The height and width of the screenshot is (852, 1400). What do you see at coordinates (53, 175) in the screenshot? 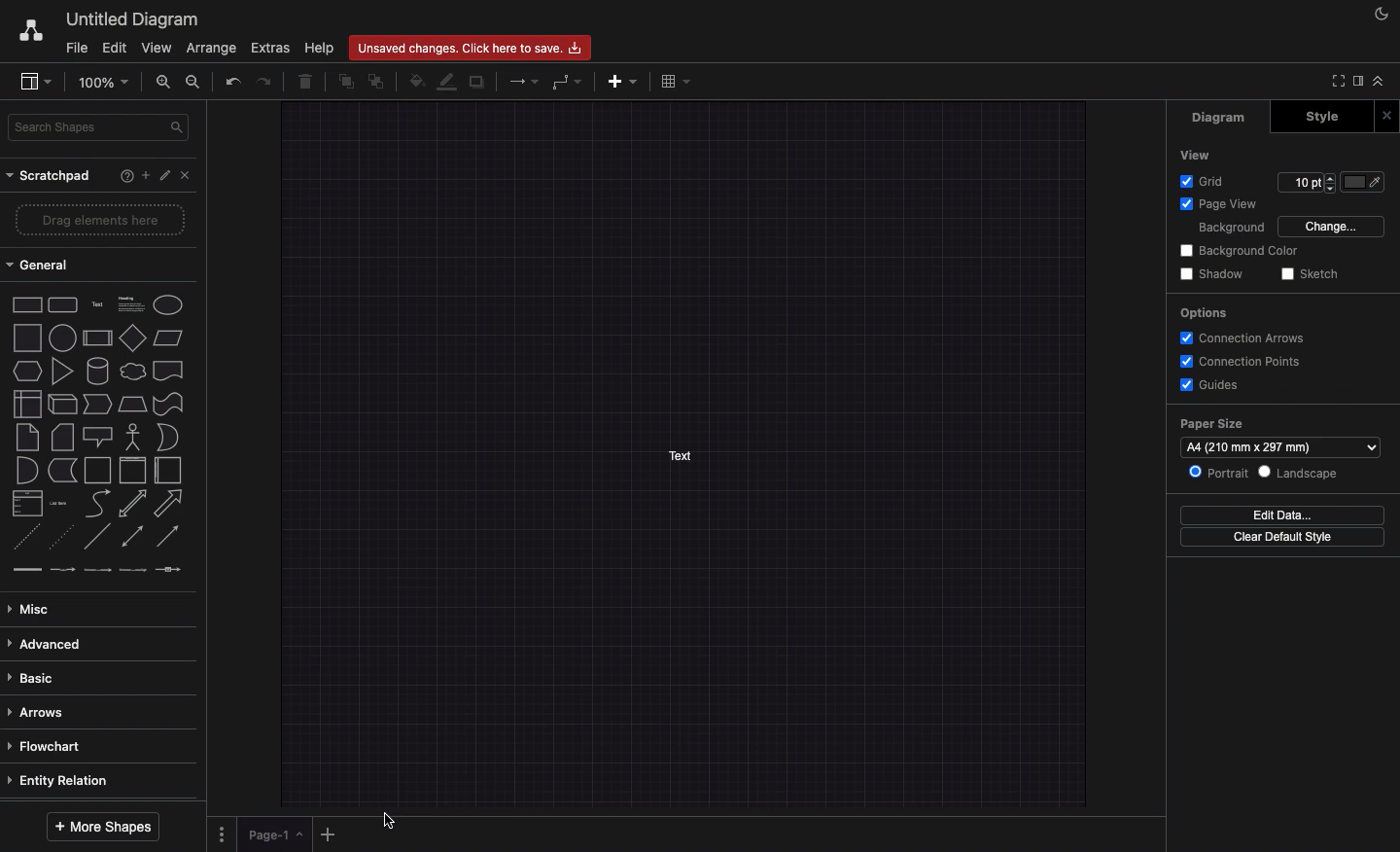
I see `Scratchpad` at bounding box center [53, 175].